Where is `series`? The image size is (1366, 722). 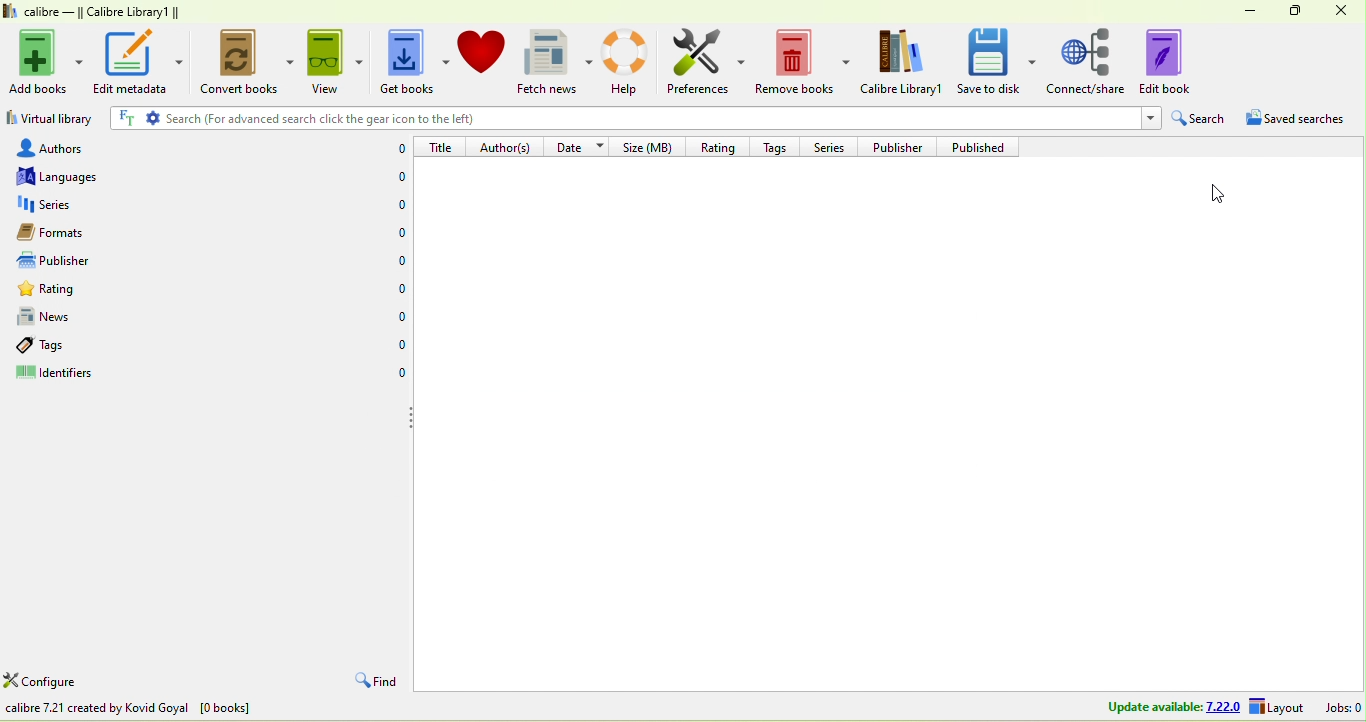 series is located at coordinates (831, 146).